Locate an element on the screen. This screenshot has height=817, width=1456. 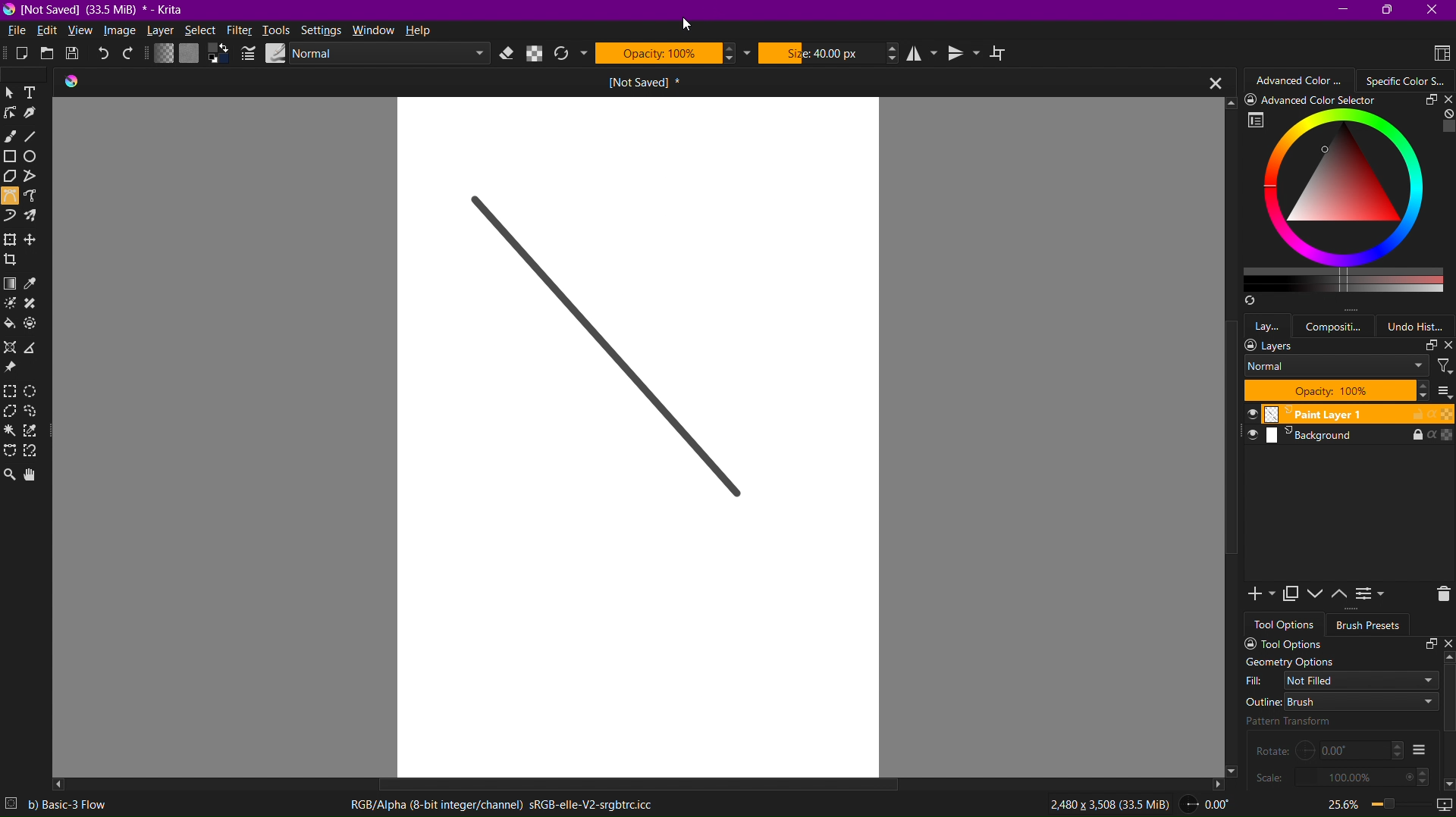
Outline is located at coordinates (1341, 701).